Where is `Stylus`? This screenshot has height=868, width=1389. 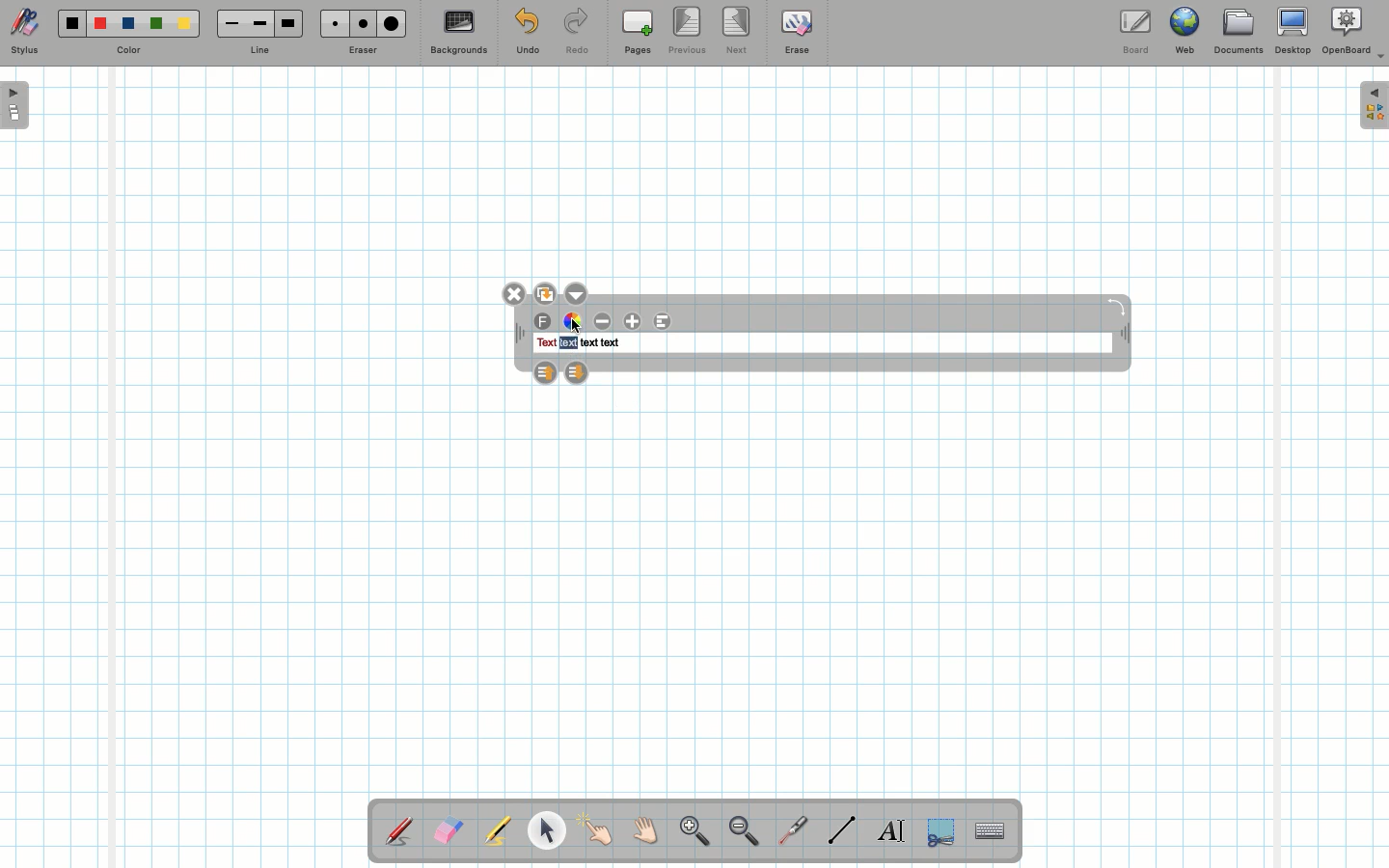
Stylus is located at coordinates (400, 830).